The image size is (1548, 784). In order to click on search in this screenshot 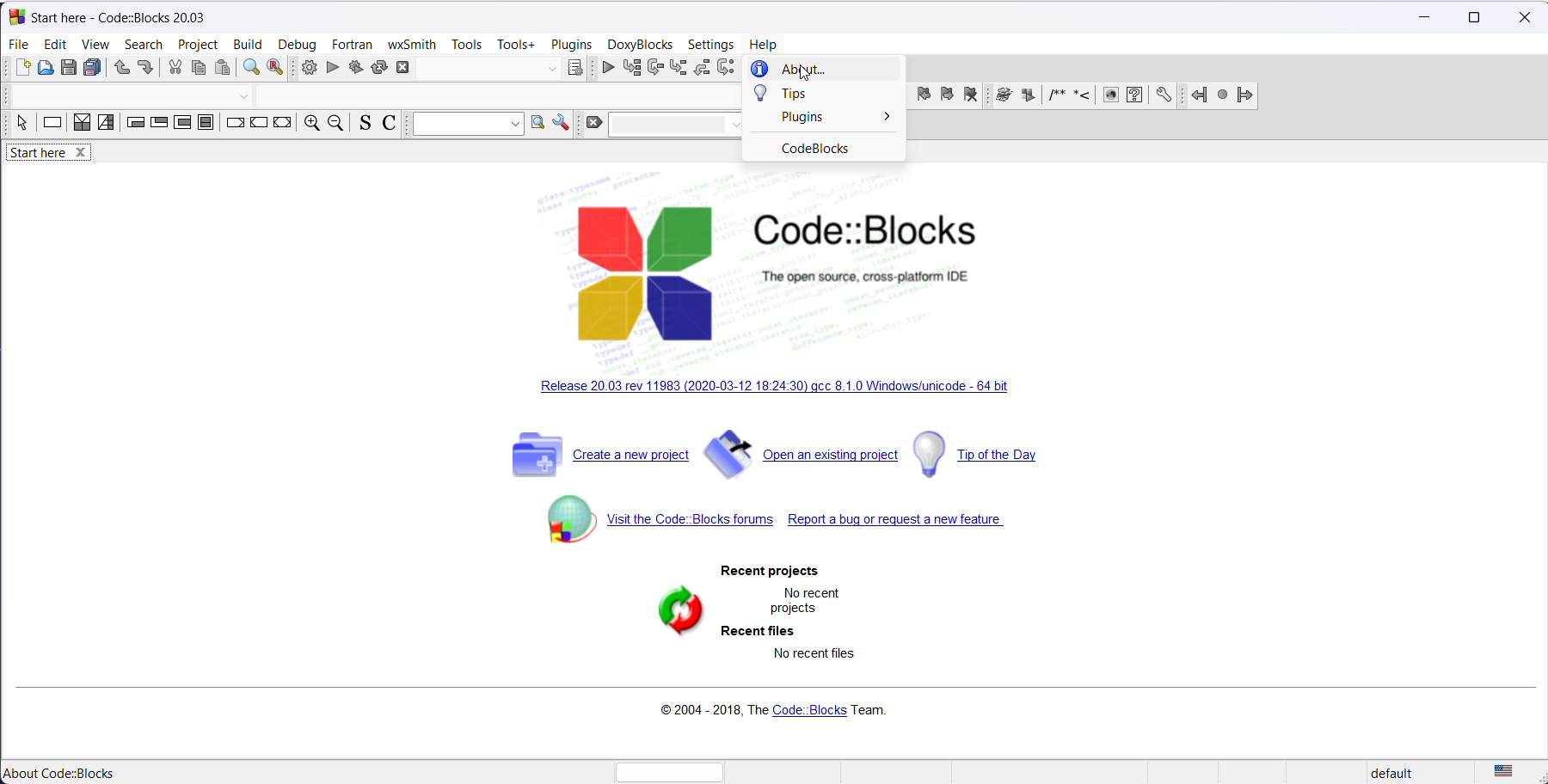, I will do `click(538, 124)`.